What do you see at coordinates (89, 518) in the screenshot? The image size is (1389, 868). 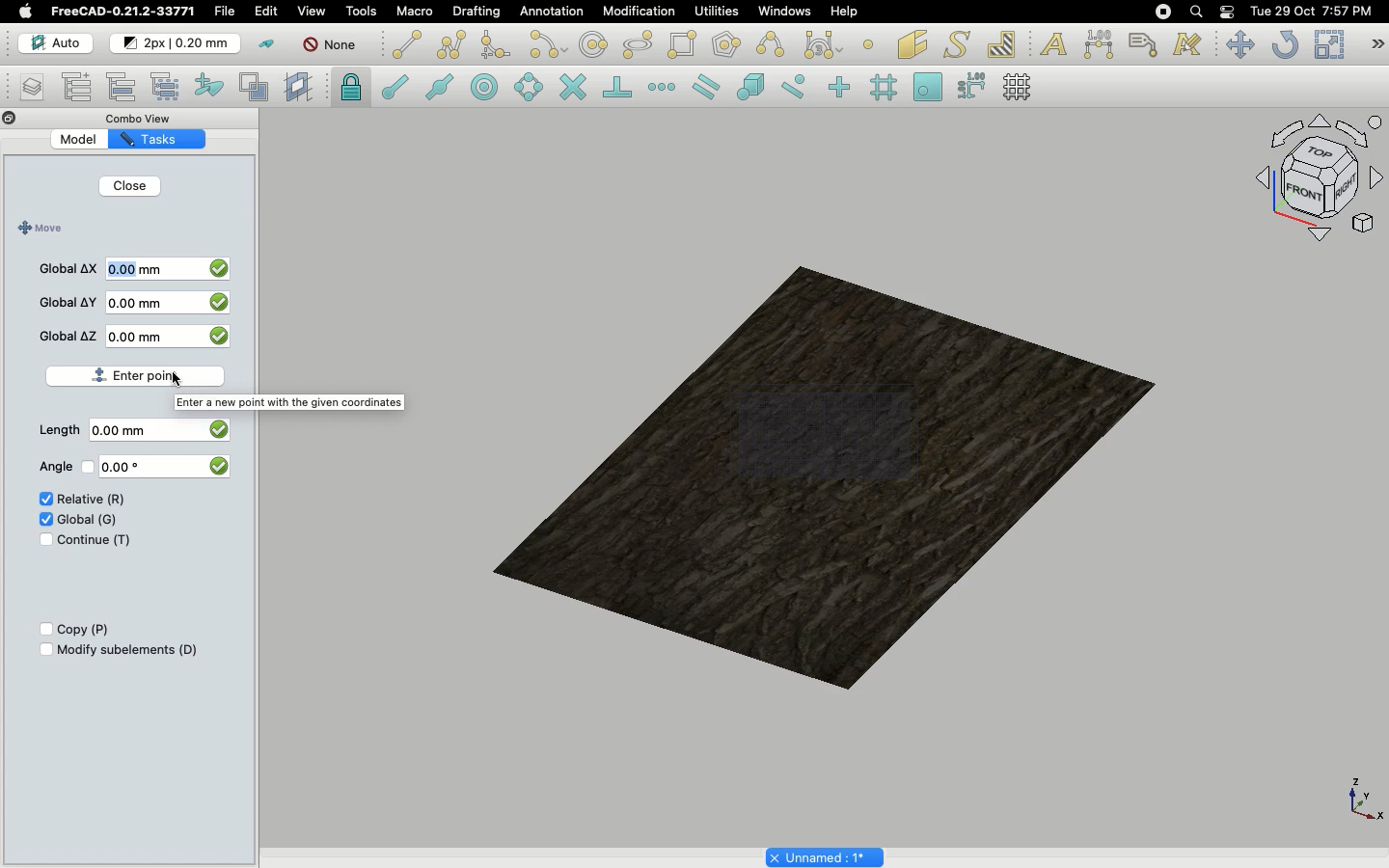 I see `Global` at bounding box center [89, 518].